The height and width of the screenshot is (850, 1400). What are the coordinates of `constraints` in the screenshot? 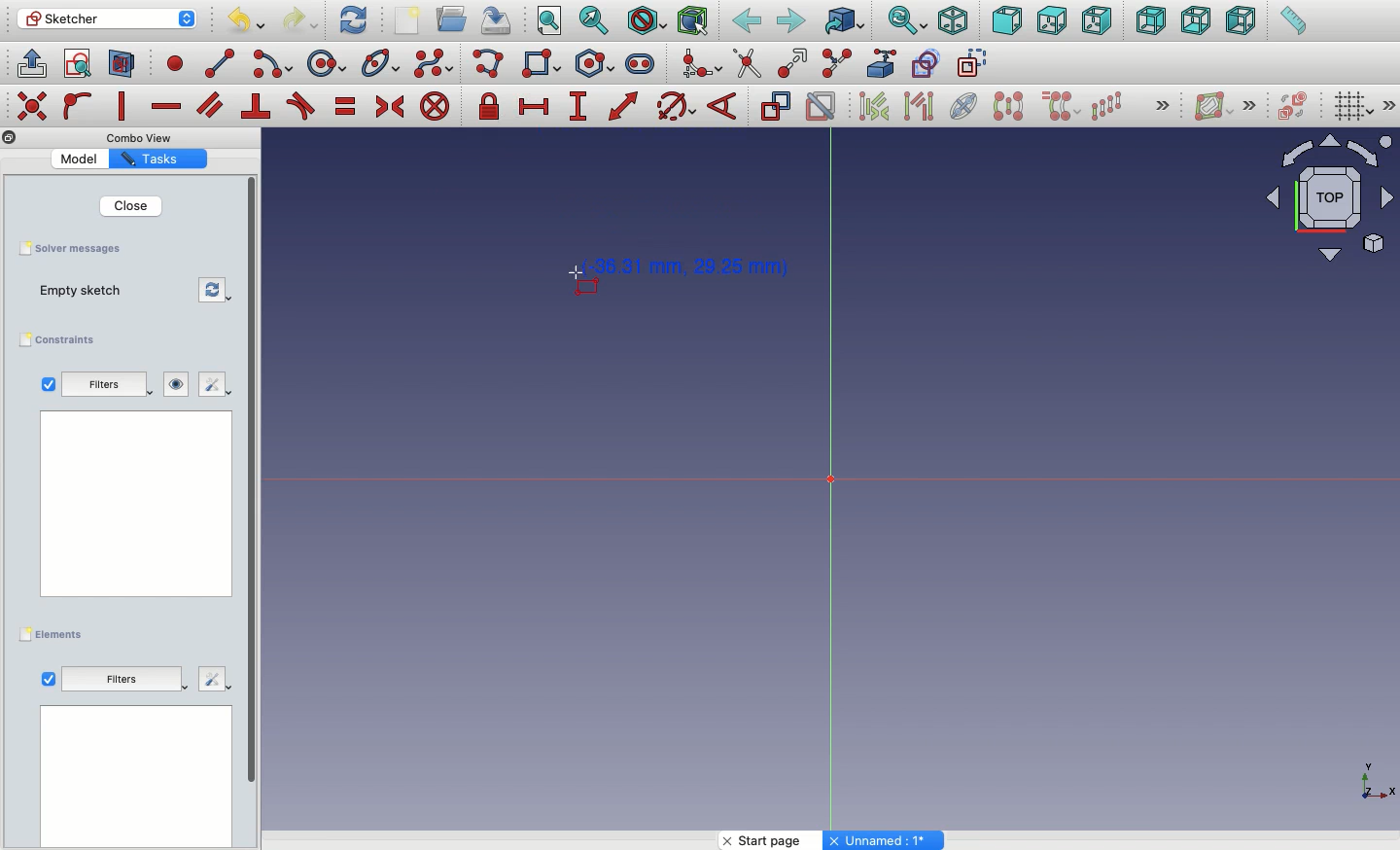 It's located at (62, 340).